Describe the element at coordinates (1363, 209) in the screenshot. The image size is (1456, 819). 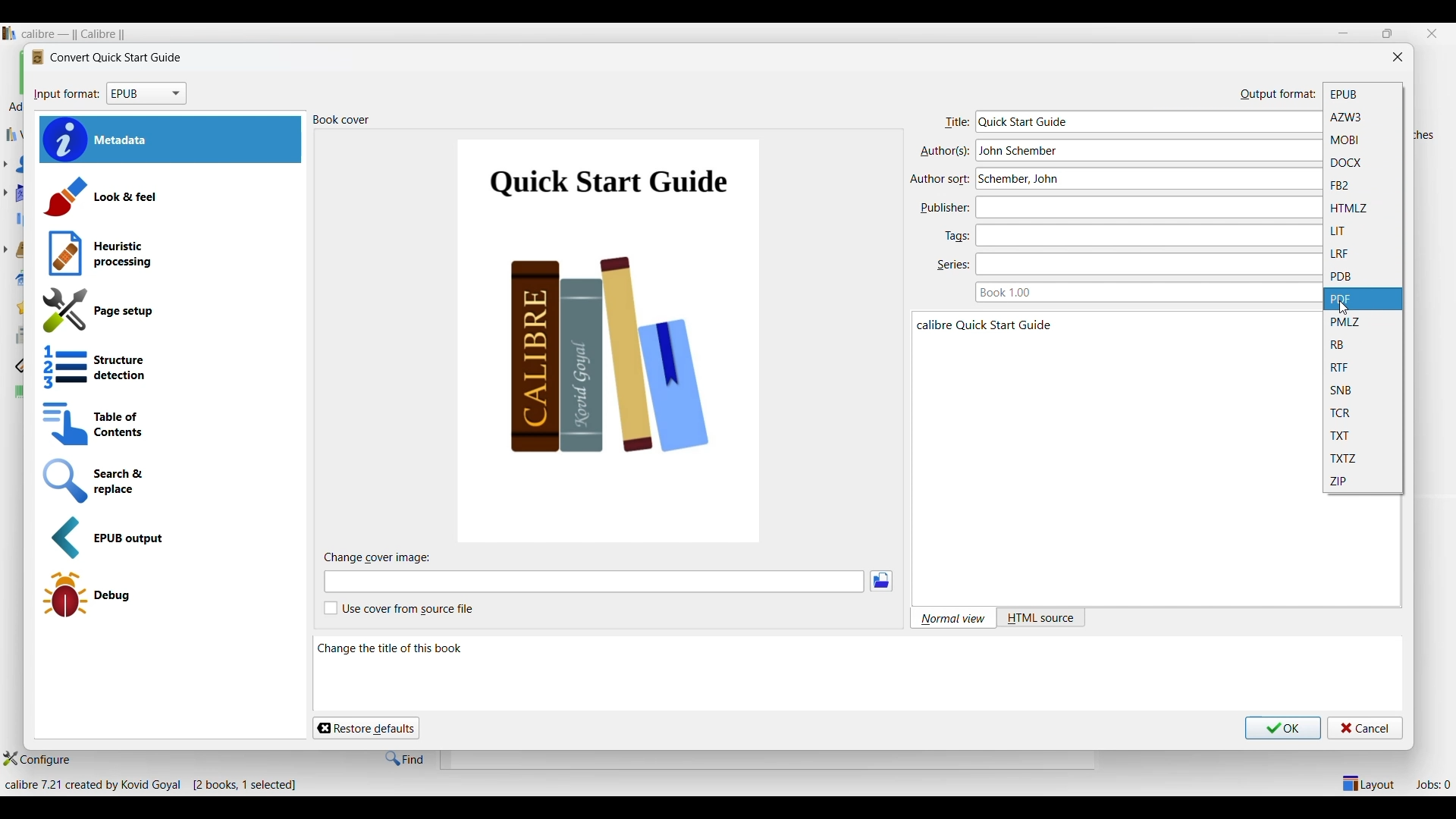
I see `HTMLZ` at that location.